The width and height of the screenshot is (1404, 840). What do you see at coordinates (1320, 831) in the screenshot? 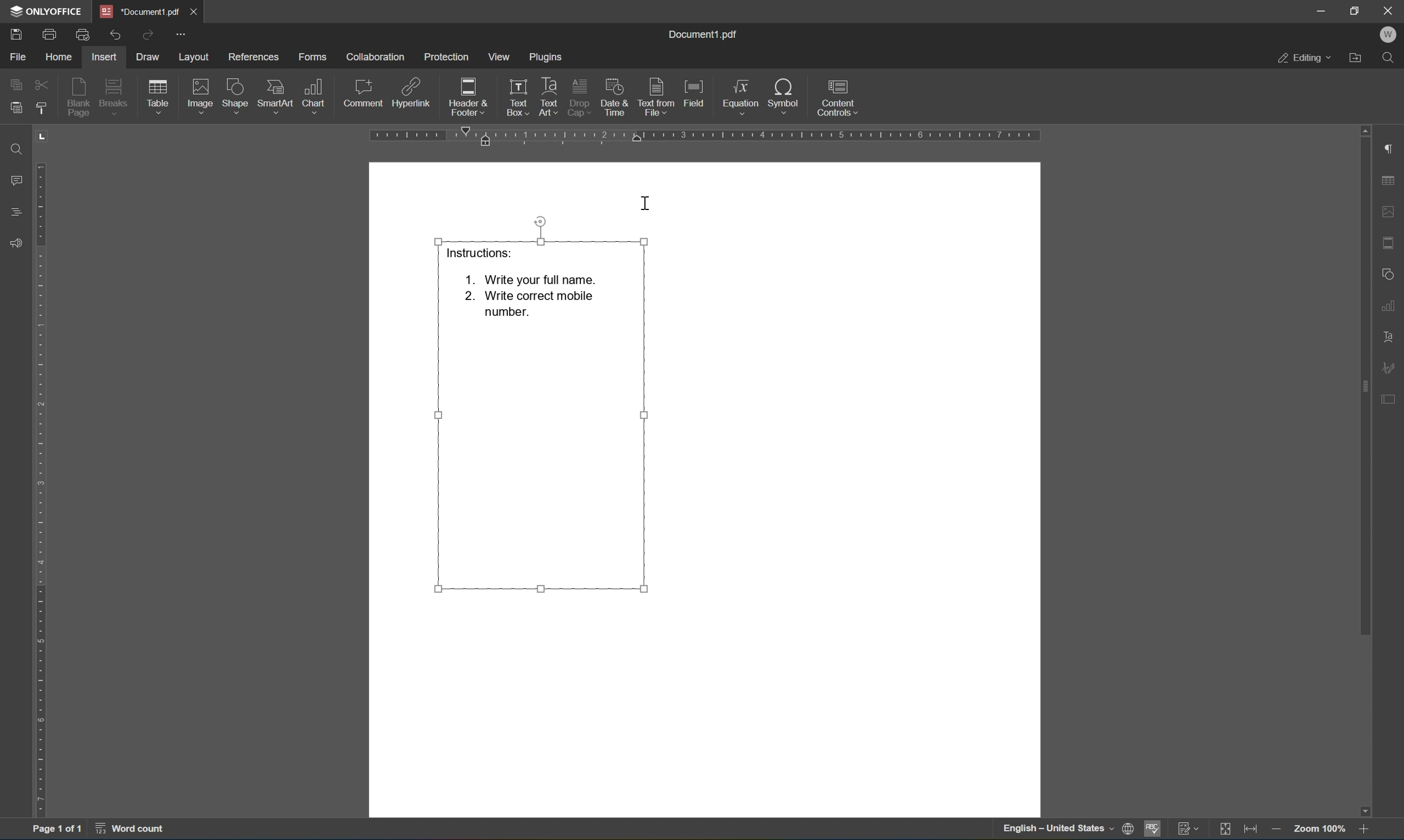
I see `zoom 100%` at bounding box center [1320, 831].